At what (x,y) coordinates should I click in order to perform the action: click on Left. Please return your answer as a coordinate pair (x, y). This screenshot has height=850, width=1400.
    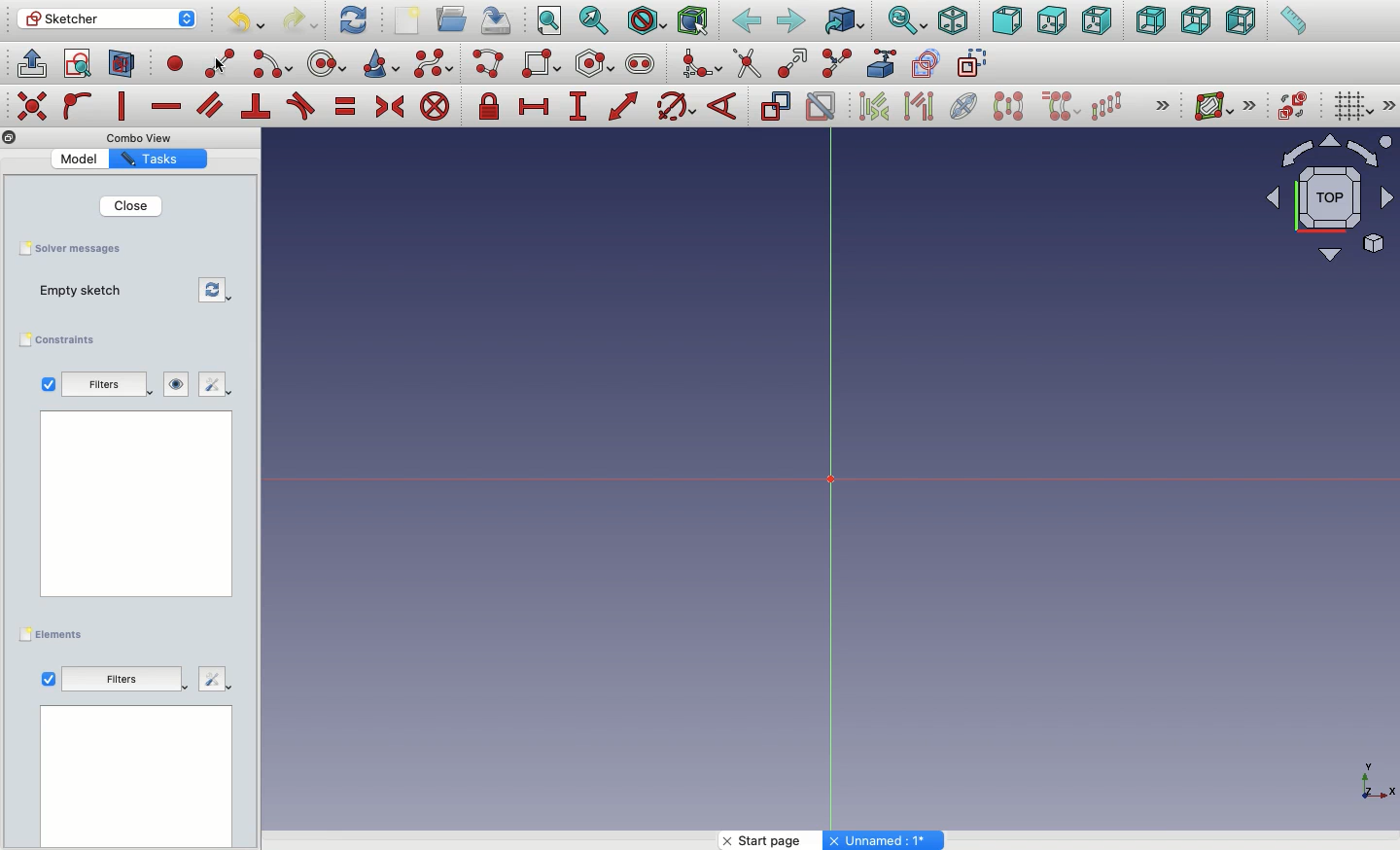
    Looking at the image, I should click on (1242, 22).